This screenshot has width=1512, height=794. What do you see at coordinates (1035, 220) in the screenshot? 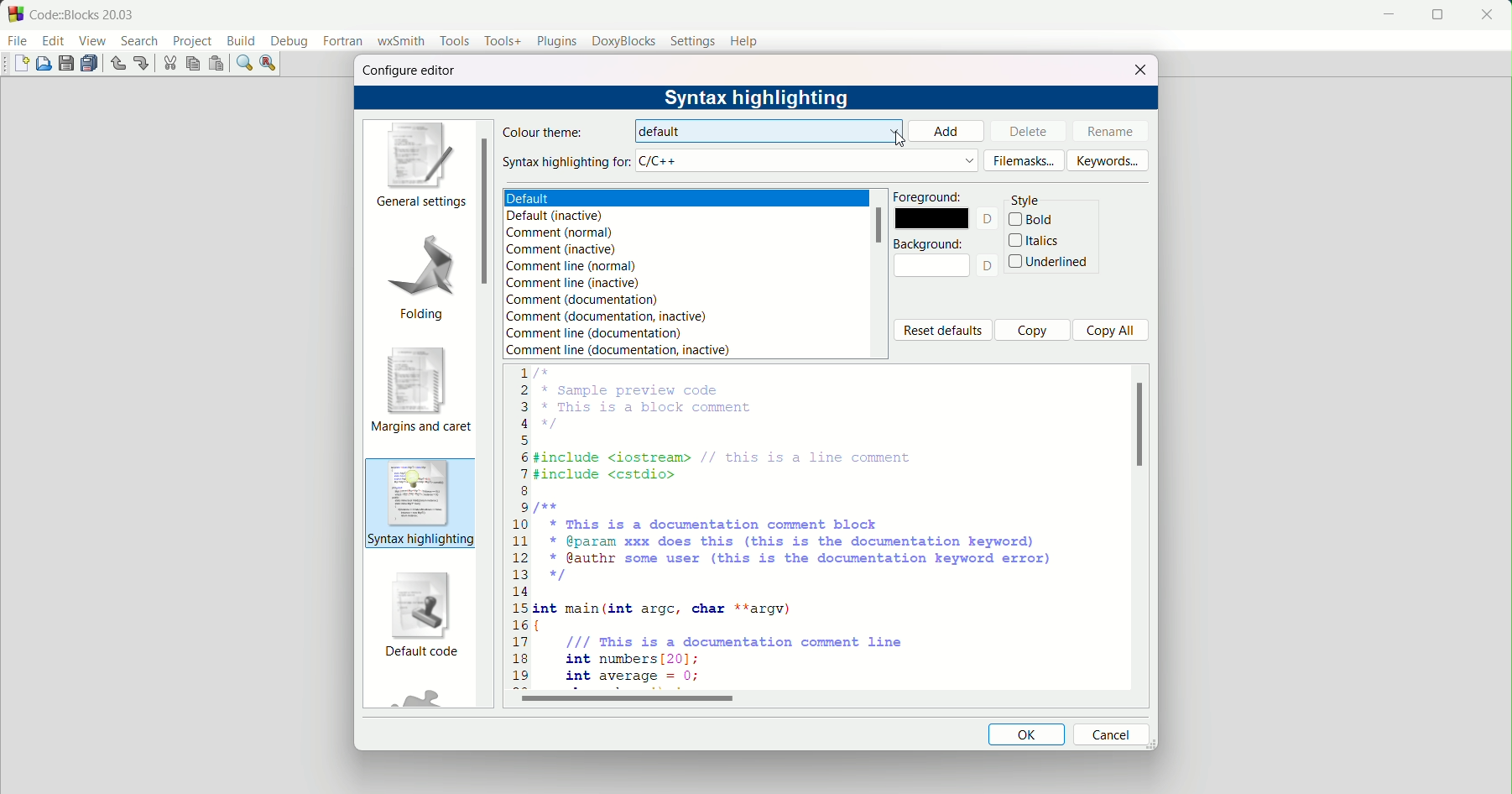
I see `bold` at bounding box center [1035, 220].